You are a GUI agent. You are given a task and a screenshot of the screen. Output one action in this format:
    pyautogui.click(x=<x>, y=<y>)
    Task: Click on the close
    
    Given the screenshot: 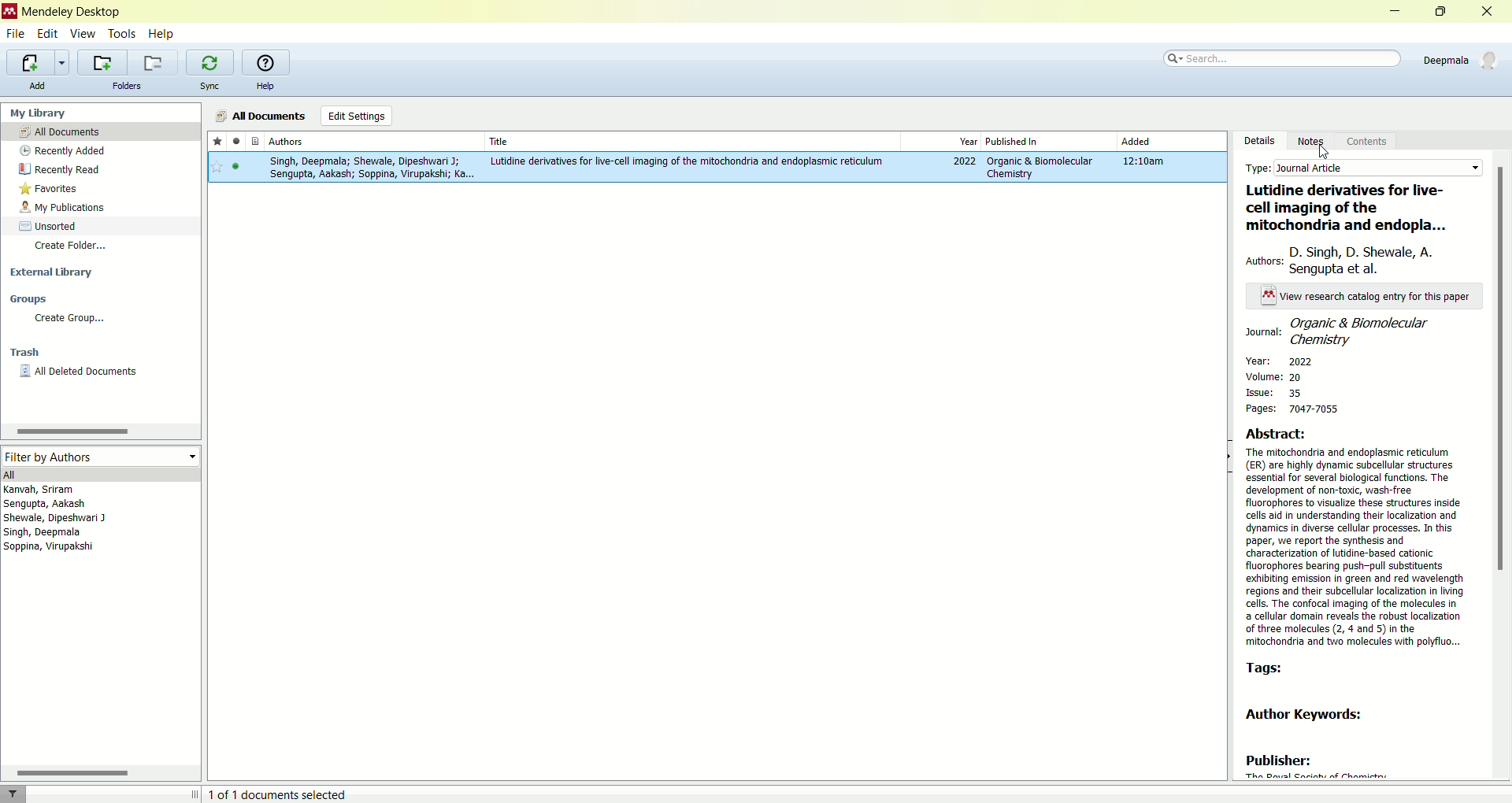 What is the action you would take?
    pyautogui.click(x=1488, y=12)
    